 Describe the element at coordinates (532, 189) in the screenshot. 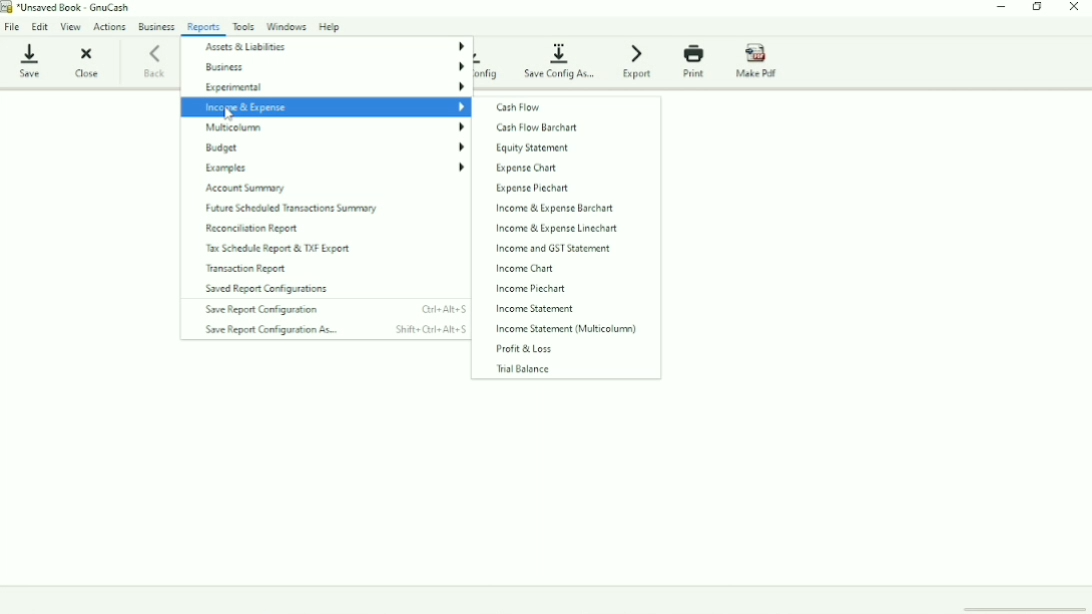

I see `Expense Piechart` at that location.